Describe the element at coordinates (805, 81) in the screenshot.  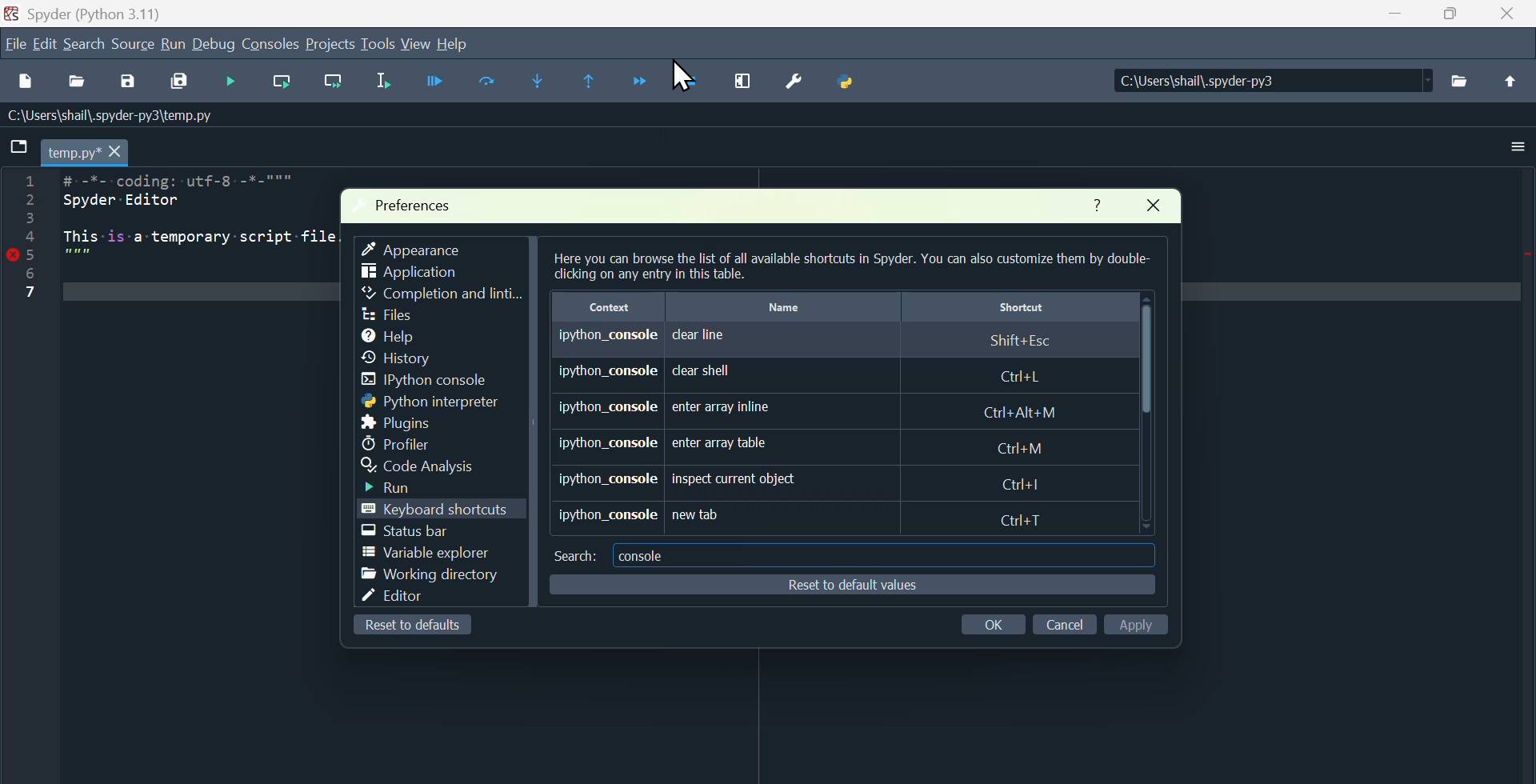
I see `Preferences` at that location.